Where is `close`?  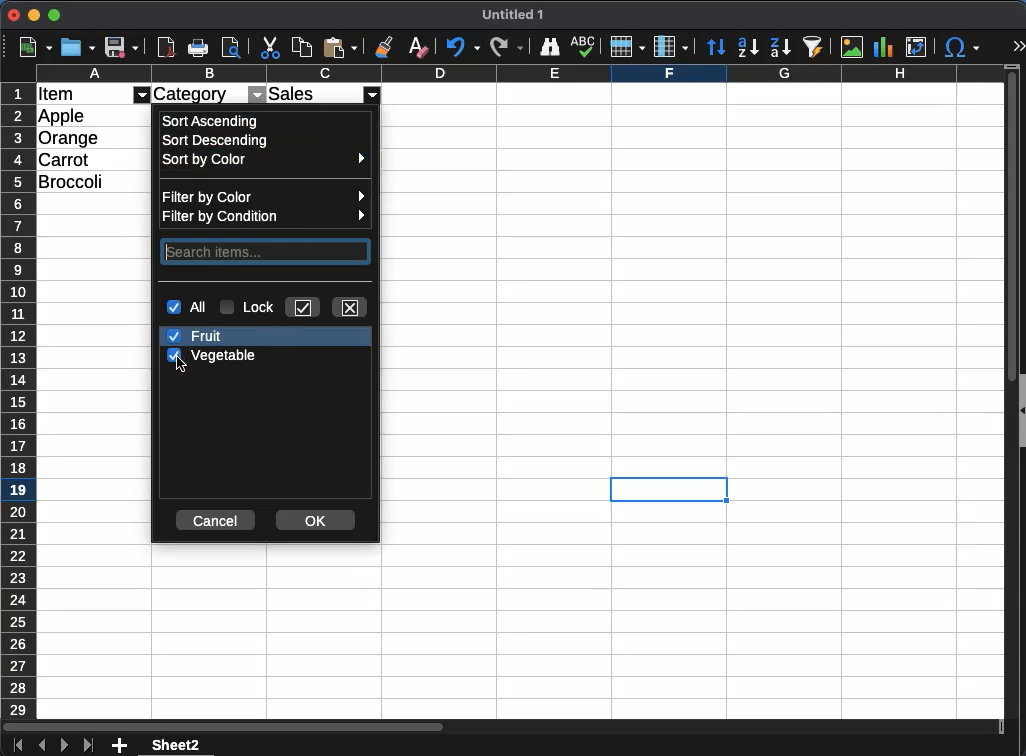
close is located at coordinates (351, 308).